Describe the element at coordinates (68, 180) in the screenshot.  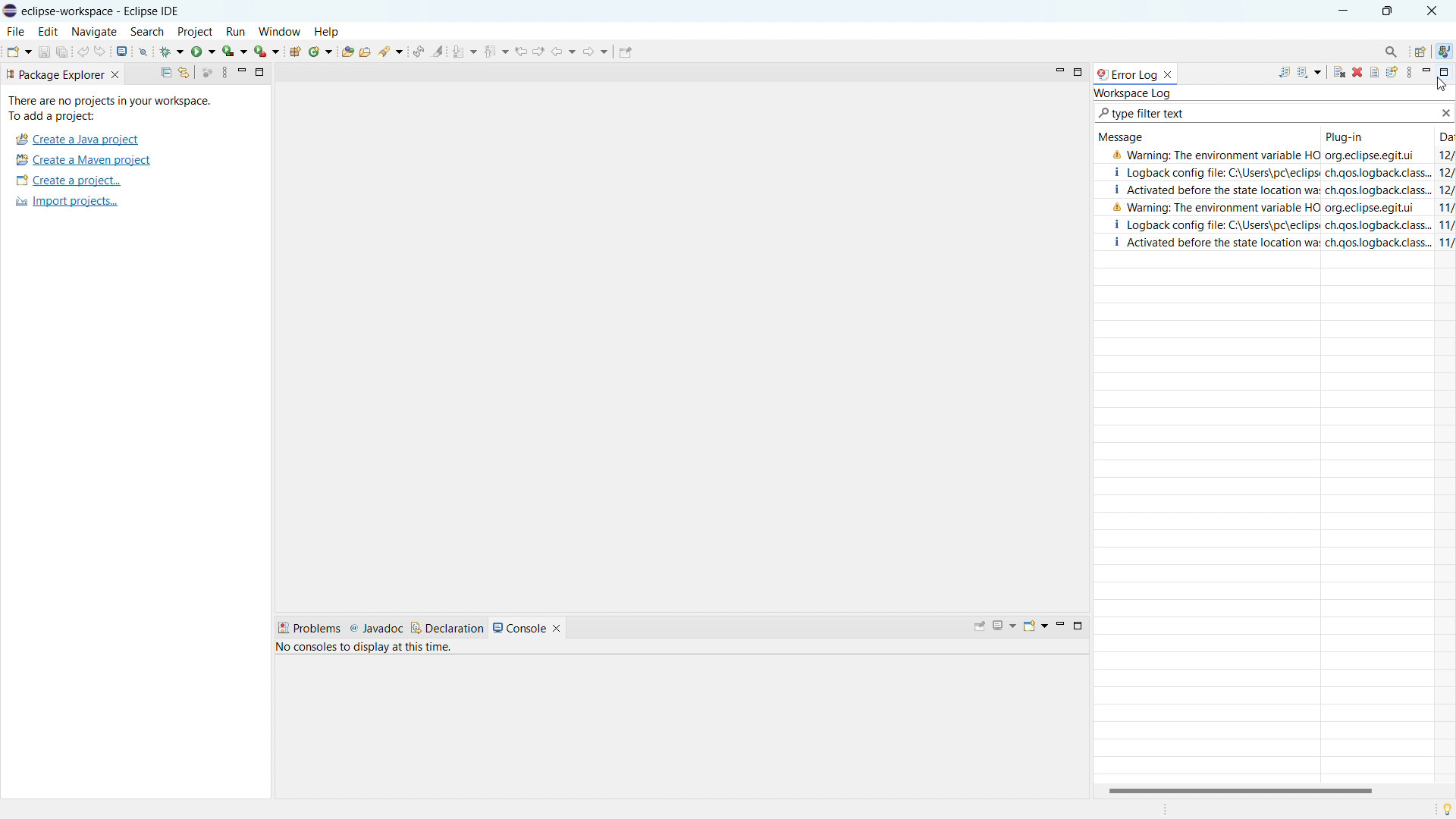
I see `create a project` at that location.